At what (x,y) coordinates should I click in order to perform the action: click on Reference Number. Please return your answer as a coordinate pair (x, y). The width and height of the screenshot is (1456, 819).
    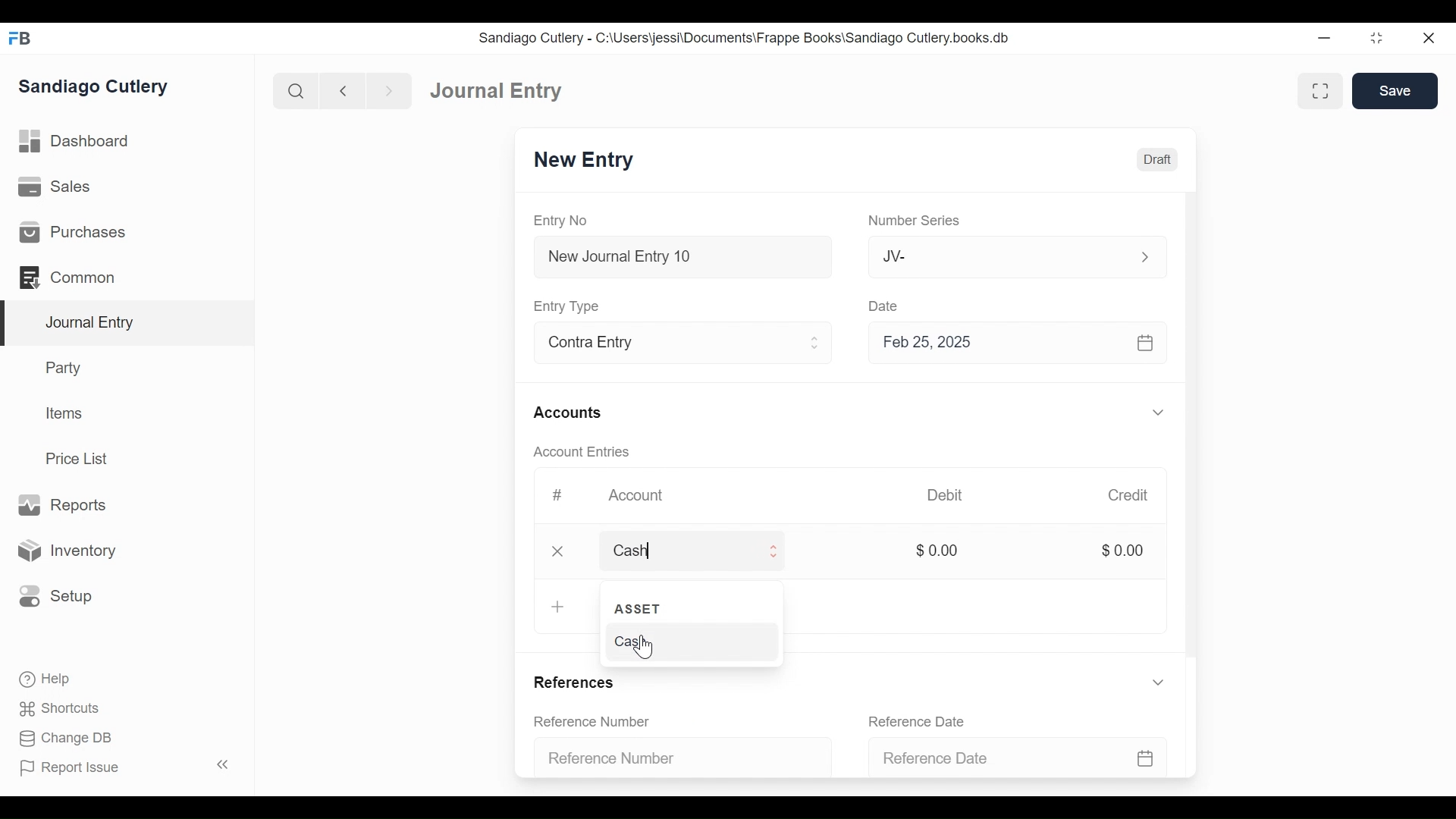
    Looking at the image, I should click on (675, 756).